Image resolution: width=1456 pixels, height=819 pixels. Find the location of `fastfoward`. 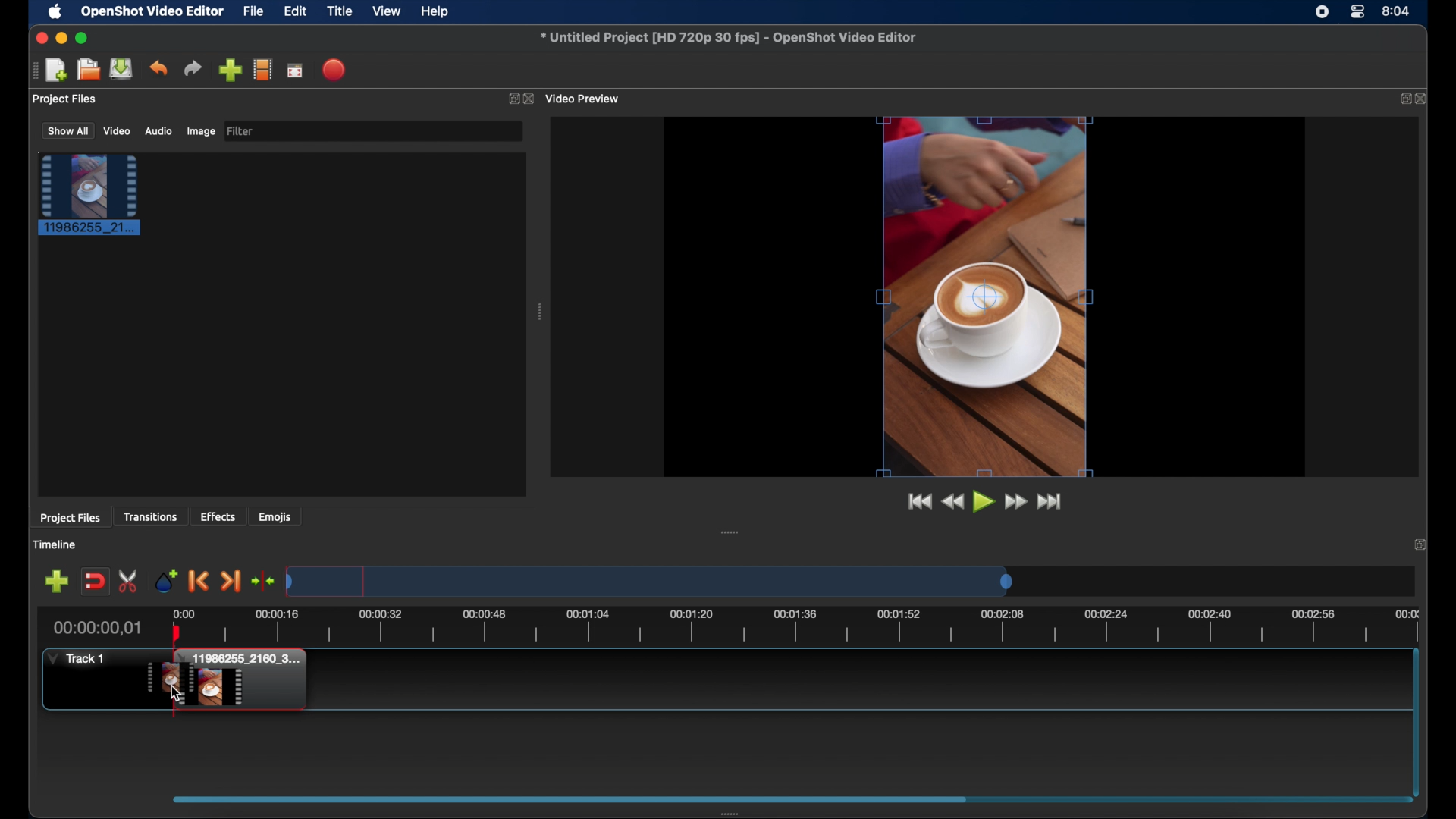

fastfoward is located at coordinates (1017, 501).